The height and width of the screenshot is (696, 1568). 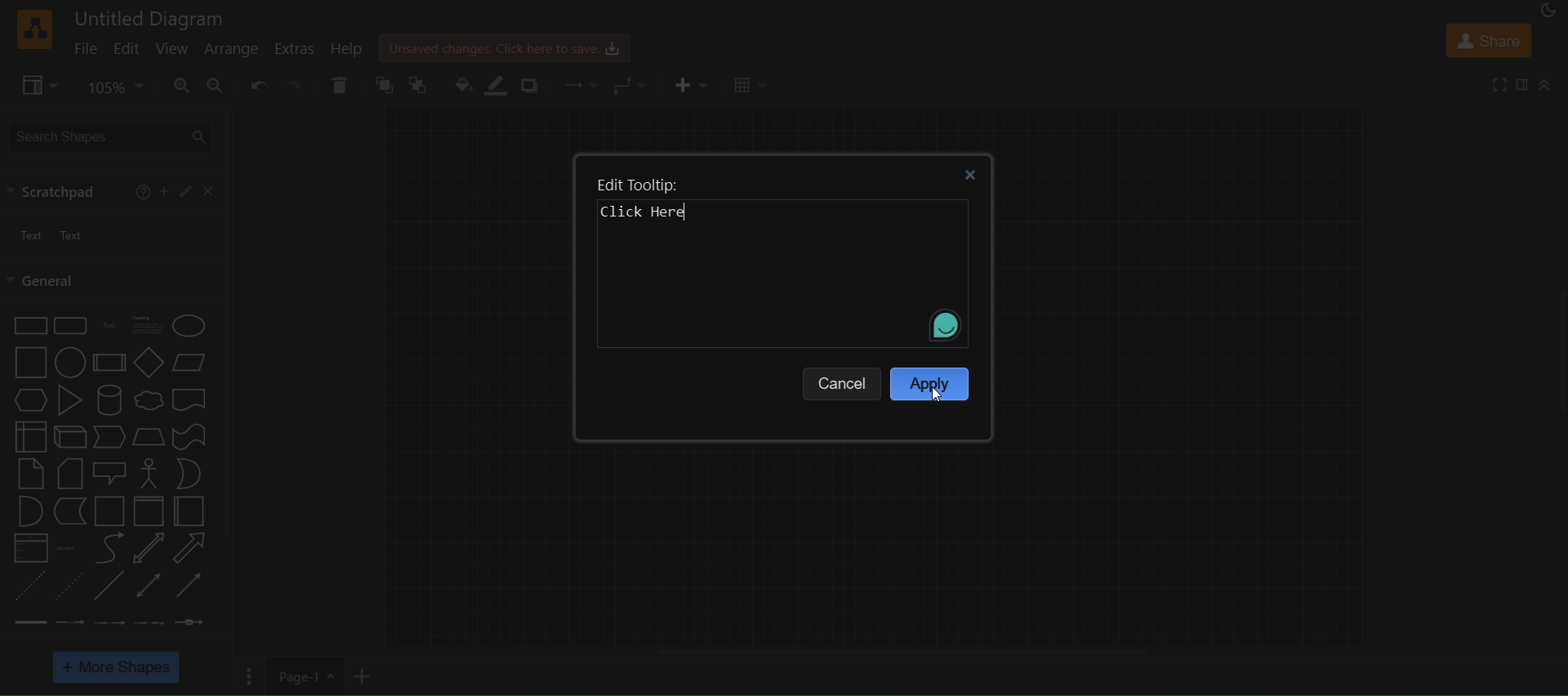 I want to click on help, so click(x=345, y=49).